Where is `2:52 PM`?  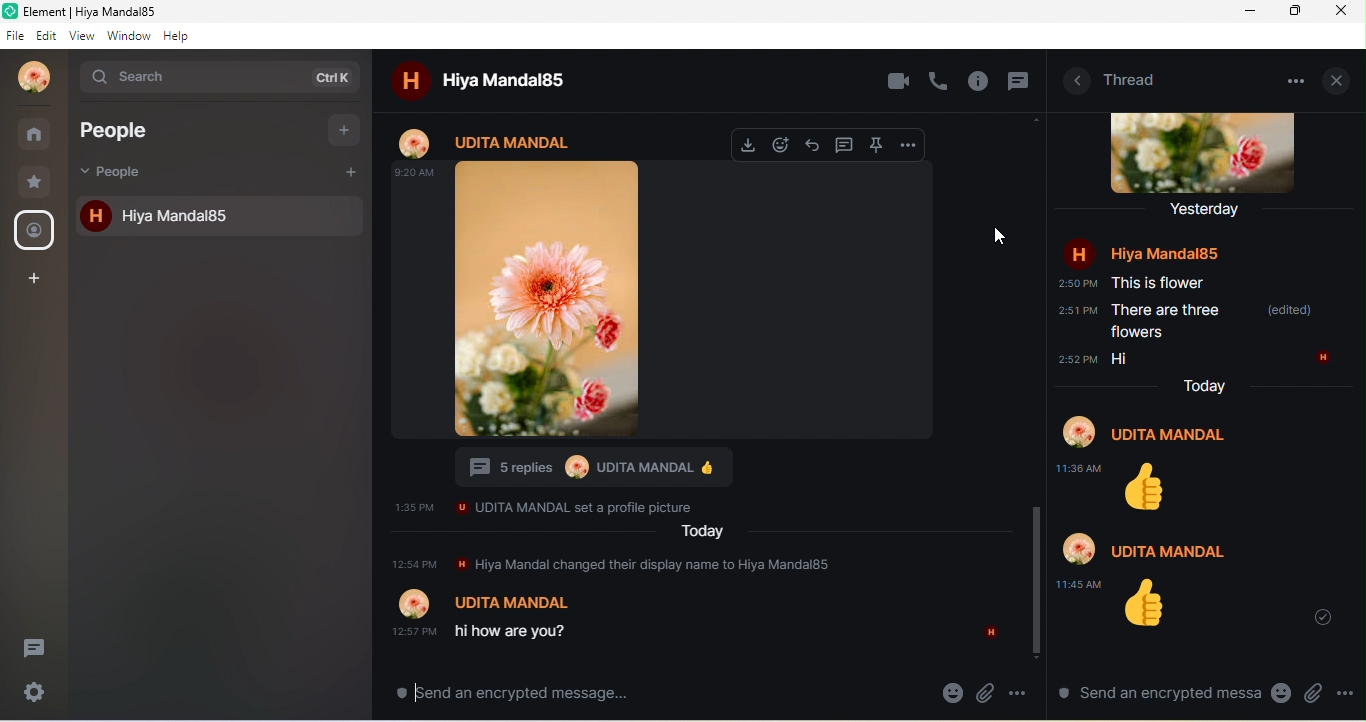
2:52 PM is located at coordinates (1077, 359).